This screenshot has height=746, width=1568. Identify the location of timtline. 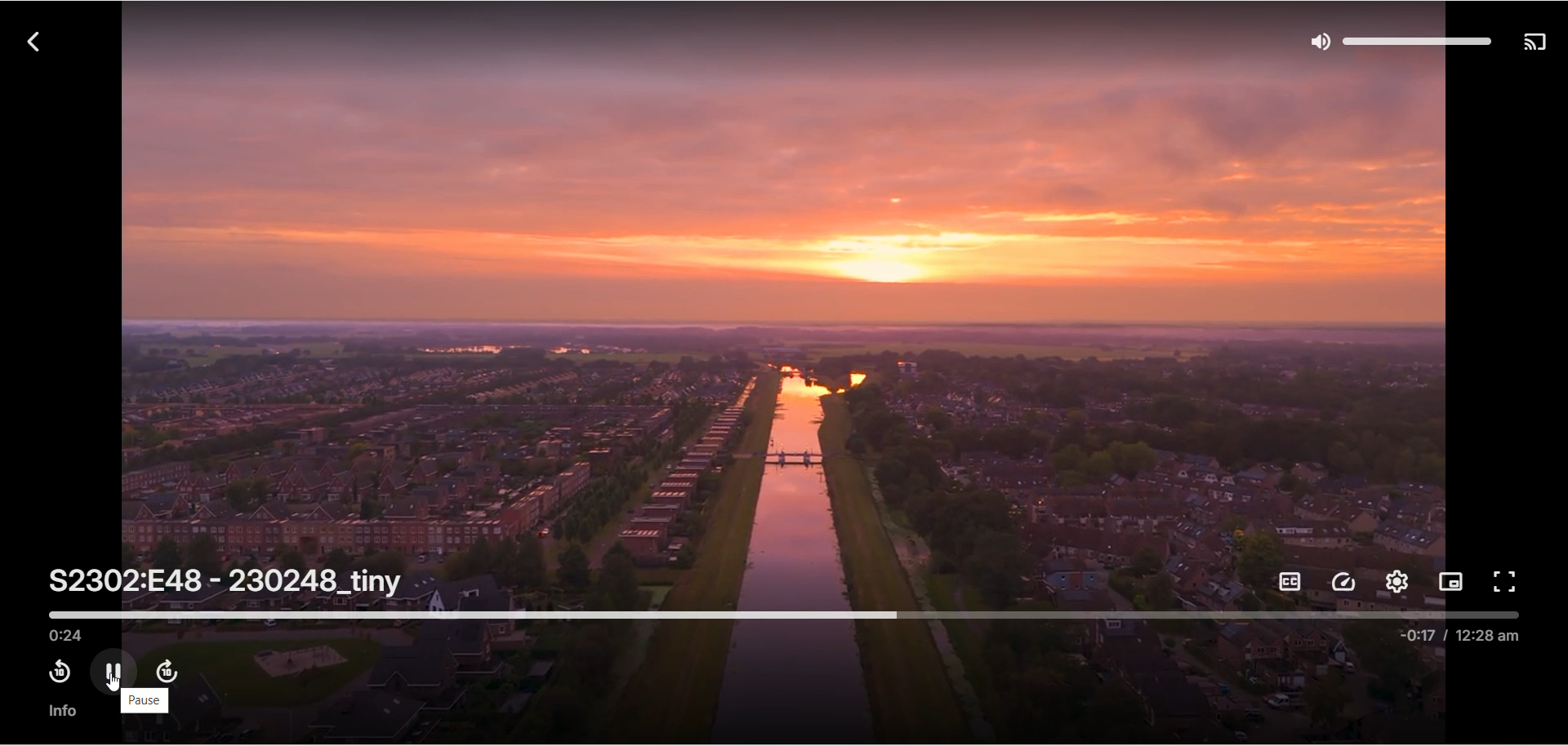
(787, 612).